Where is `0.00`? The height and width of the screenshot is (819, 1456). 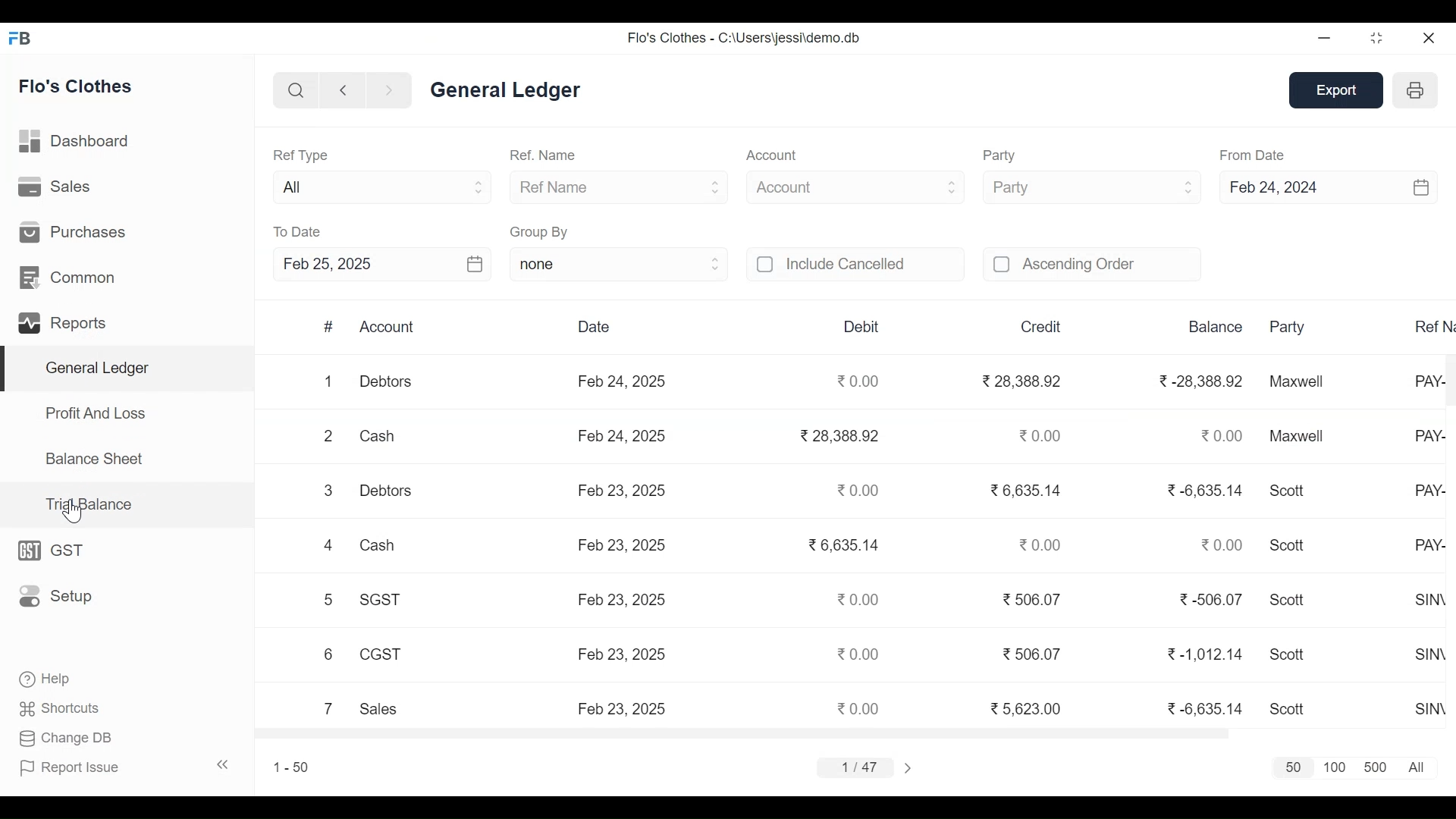 0.00 is located at coordinates (858, 379).